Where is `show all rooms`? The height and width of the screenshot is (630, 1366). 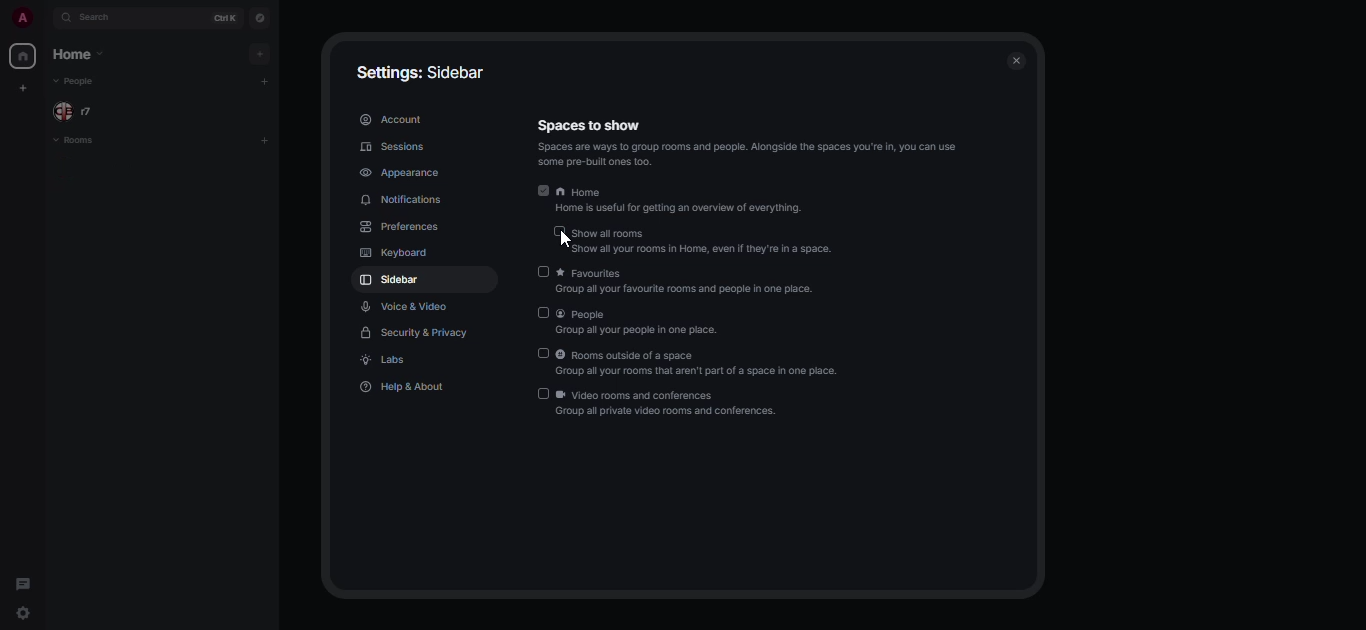 show all rooms is located at coordinates (703, 241).